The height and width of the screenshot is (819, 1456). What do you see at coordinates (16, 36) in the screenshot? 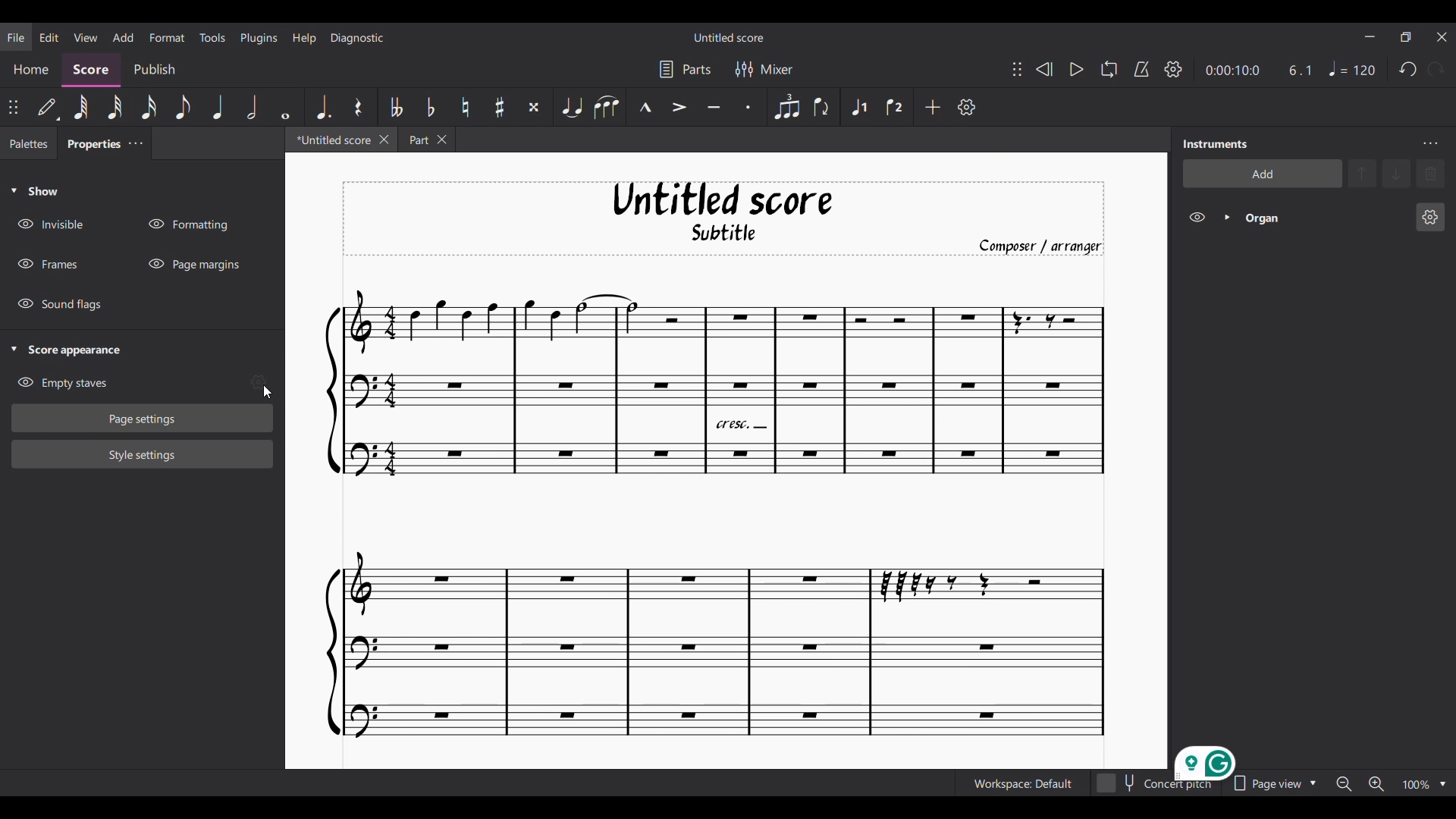
I see `File menu` at bounding box center [16, 36].